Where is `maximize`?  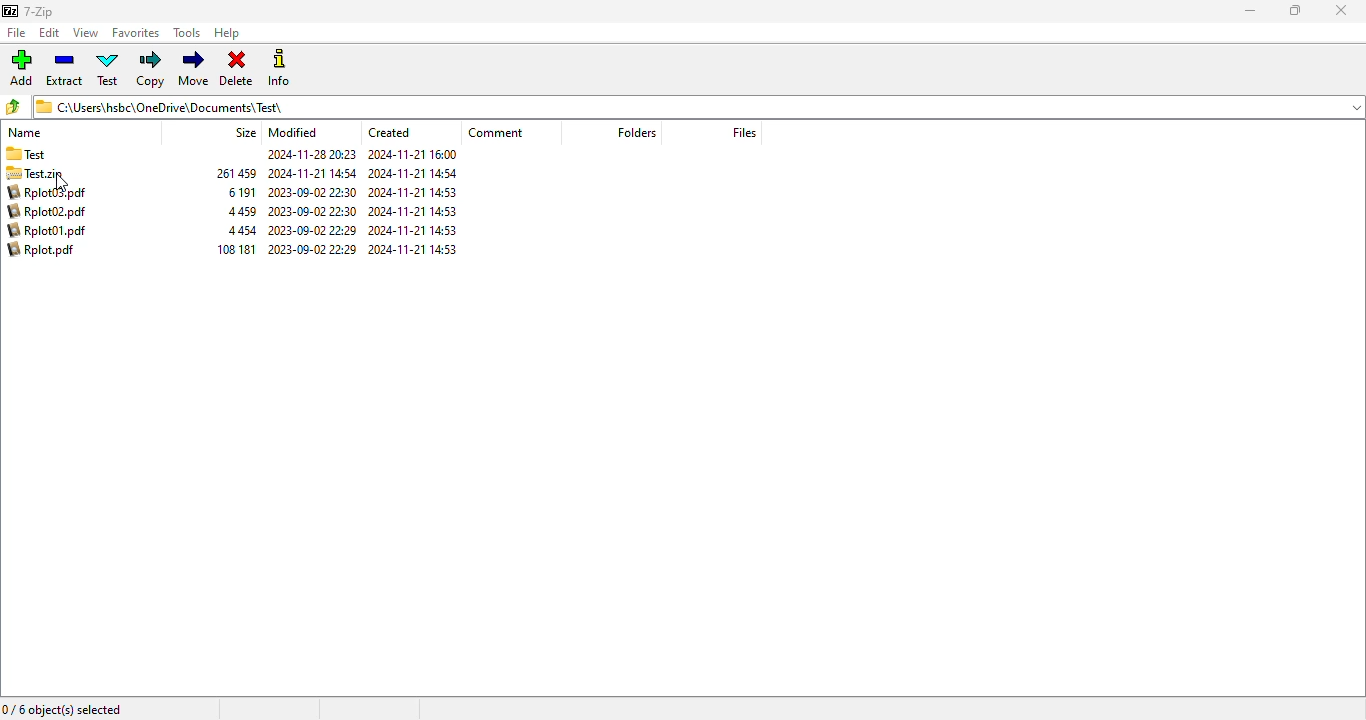 maximize is located at coordinates (1295, 11).